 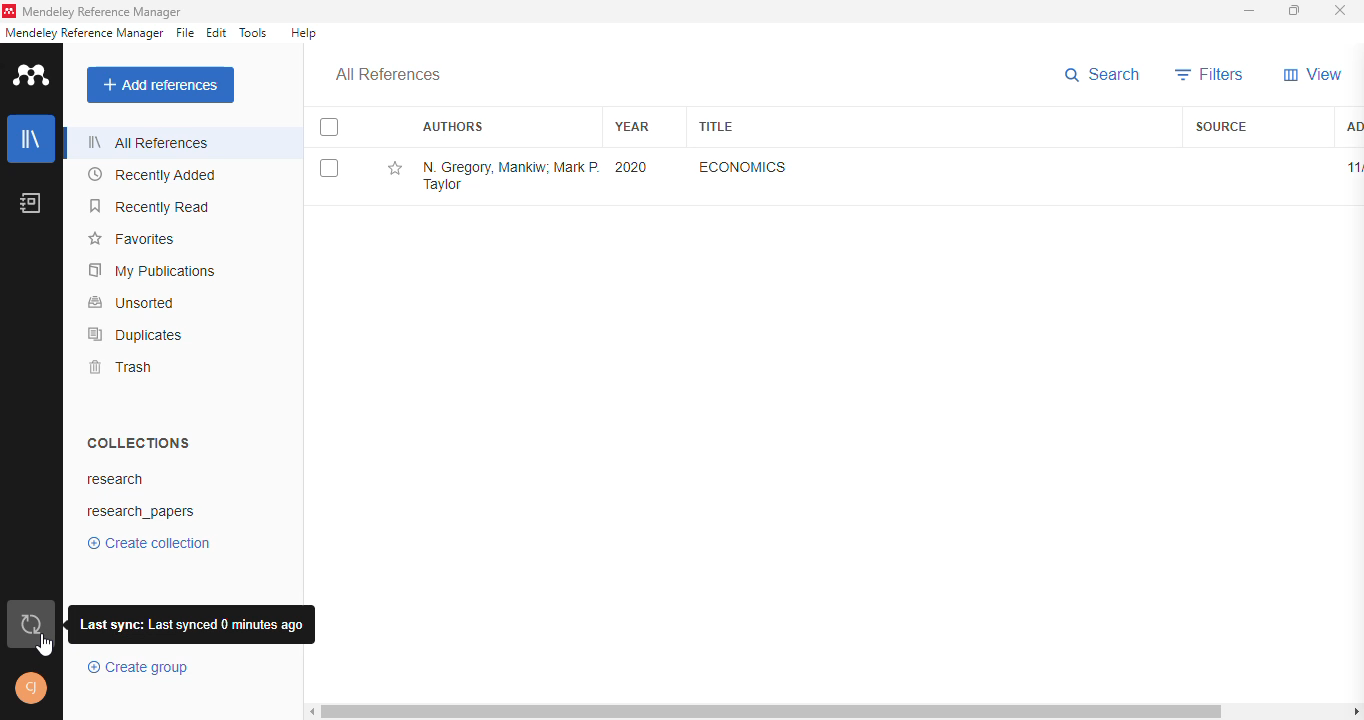 I want to click on collections, so click(x=138, y=443).